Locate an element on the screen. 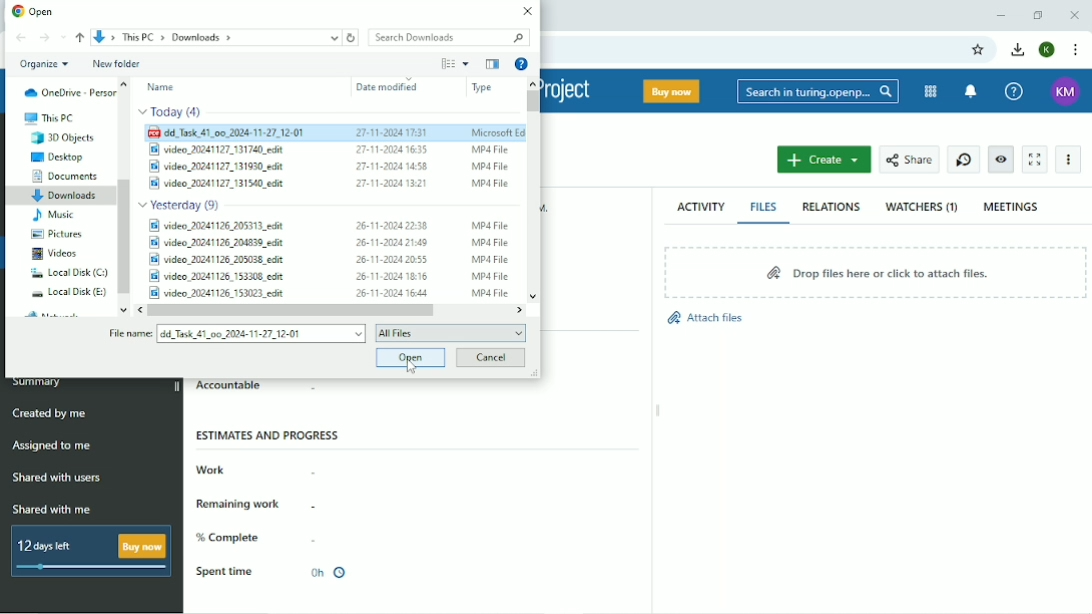 This screenshot has height=614, width=1092. Downloads is located at coordinates (66, 197).